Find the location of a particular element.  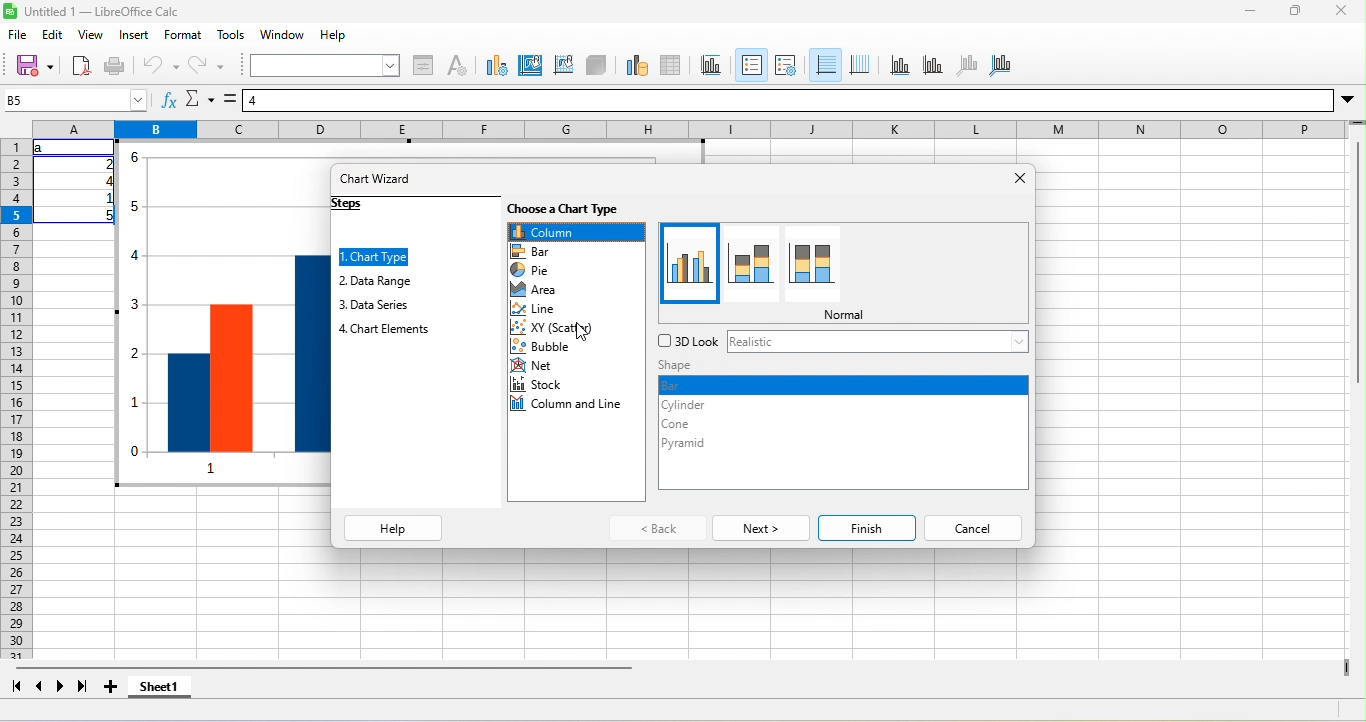

a is located at coordinates (42, 148).